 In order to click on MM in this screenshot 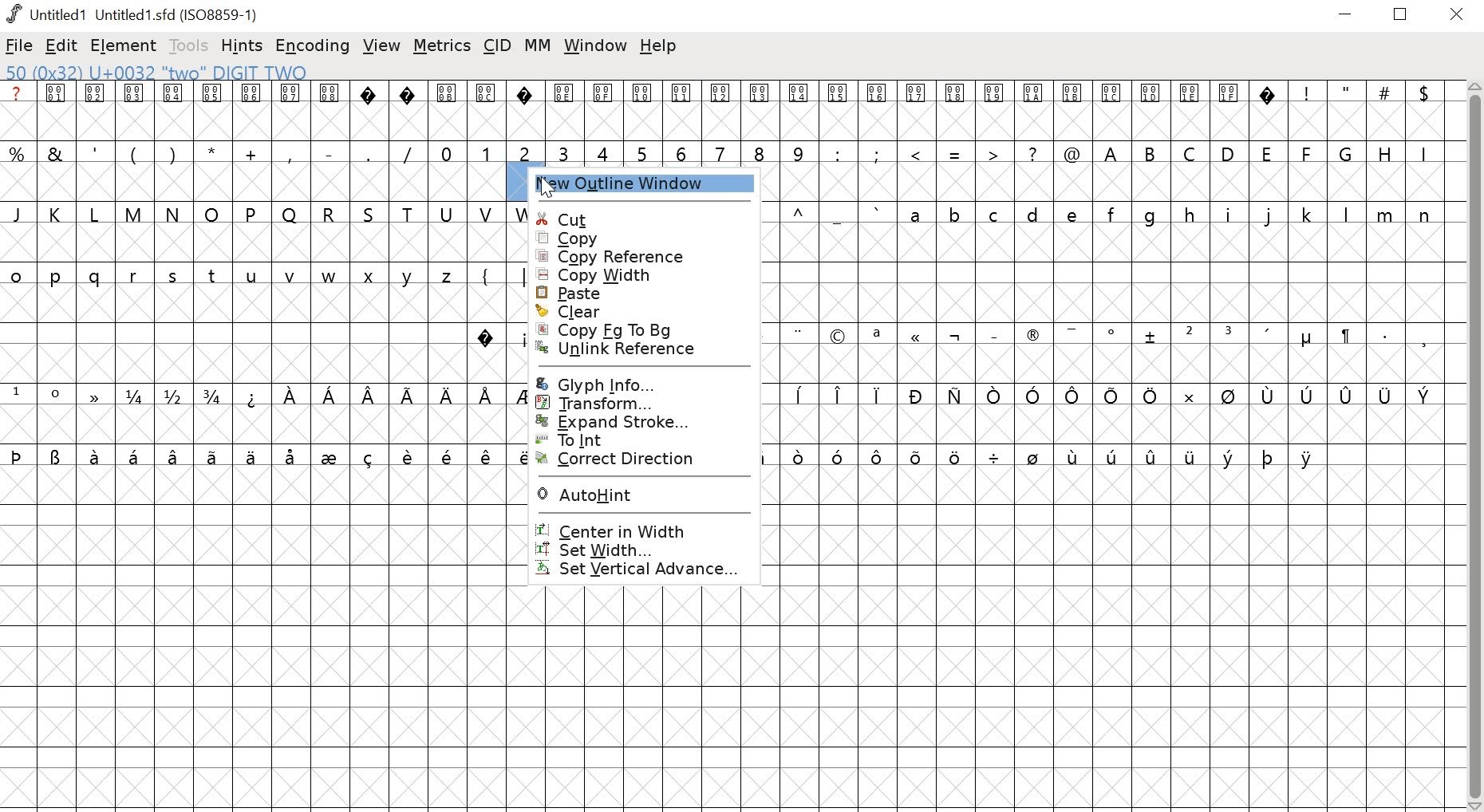, I will do `click(535, 47)`.